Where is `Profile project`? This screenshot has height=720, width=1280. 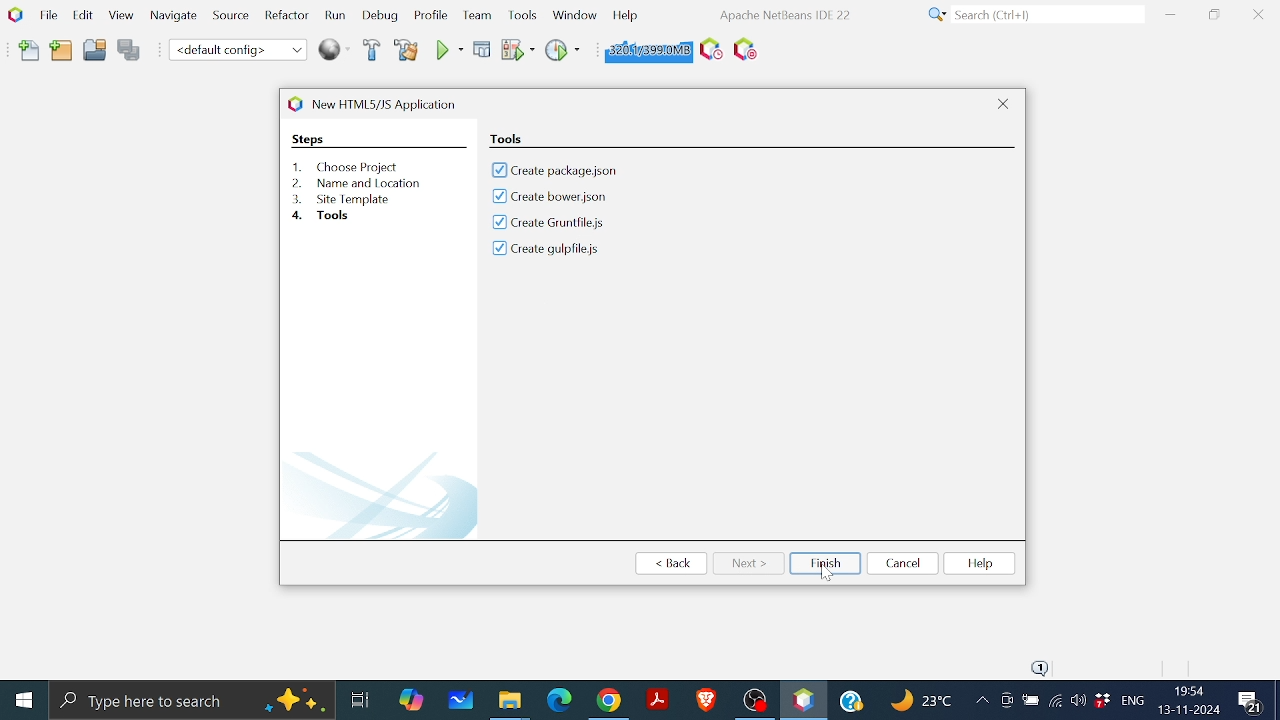 Profile project is located at coordinates (562, 49).